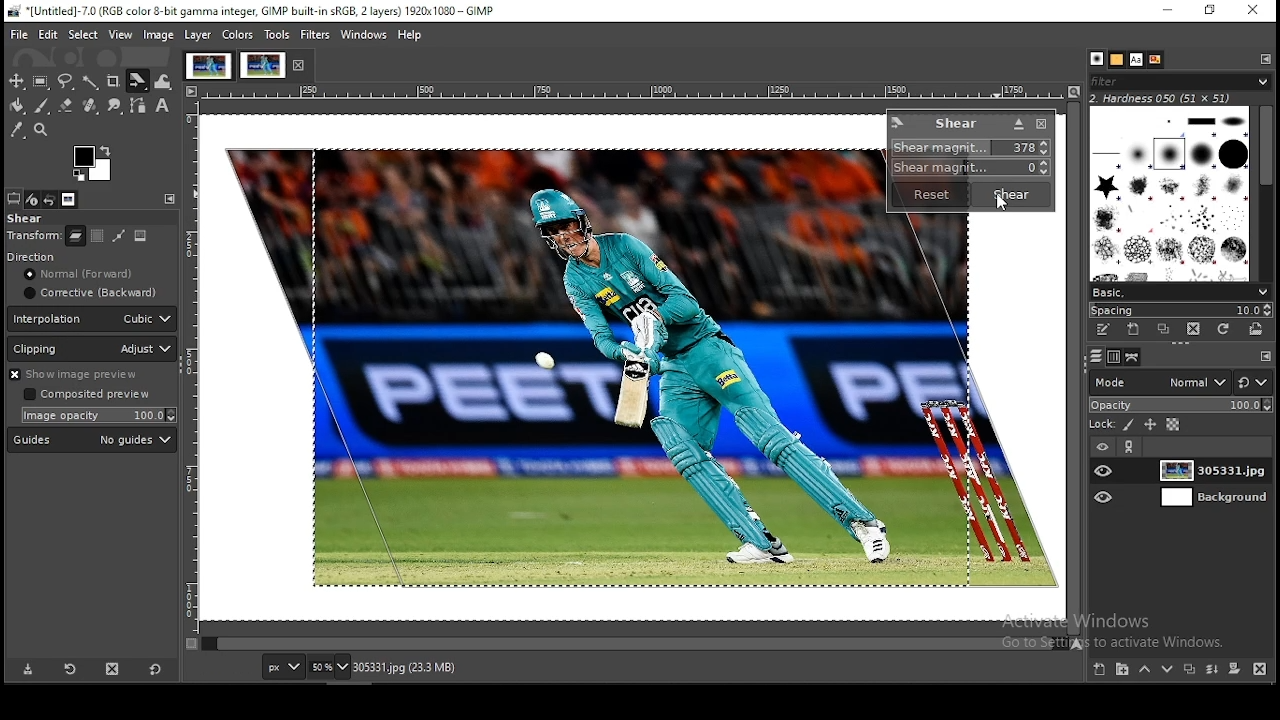 The height and width of the screenshot is (720, 1280). What do you see at coordinates (26, 670) in the screenshot?
I see `save tool preset` at bounding box center [26, 670].